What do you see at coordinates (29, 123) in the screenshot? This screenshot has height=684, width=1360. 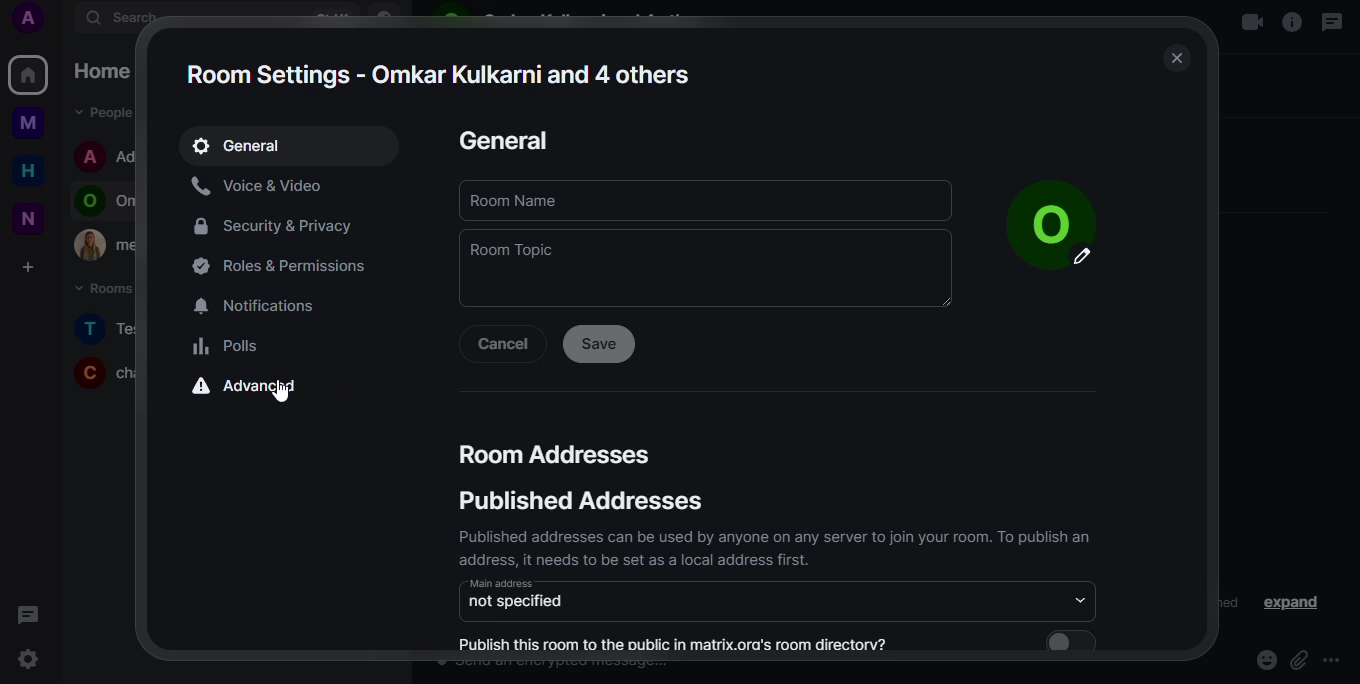 I see `myspace` at bounding box center [29, 123].